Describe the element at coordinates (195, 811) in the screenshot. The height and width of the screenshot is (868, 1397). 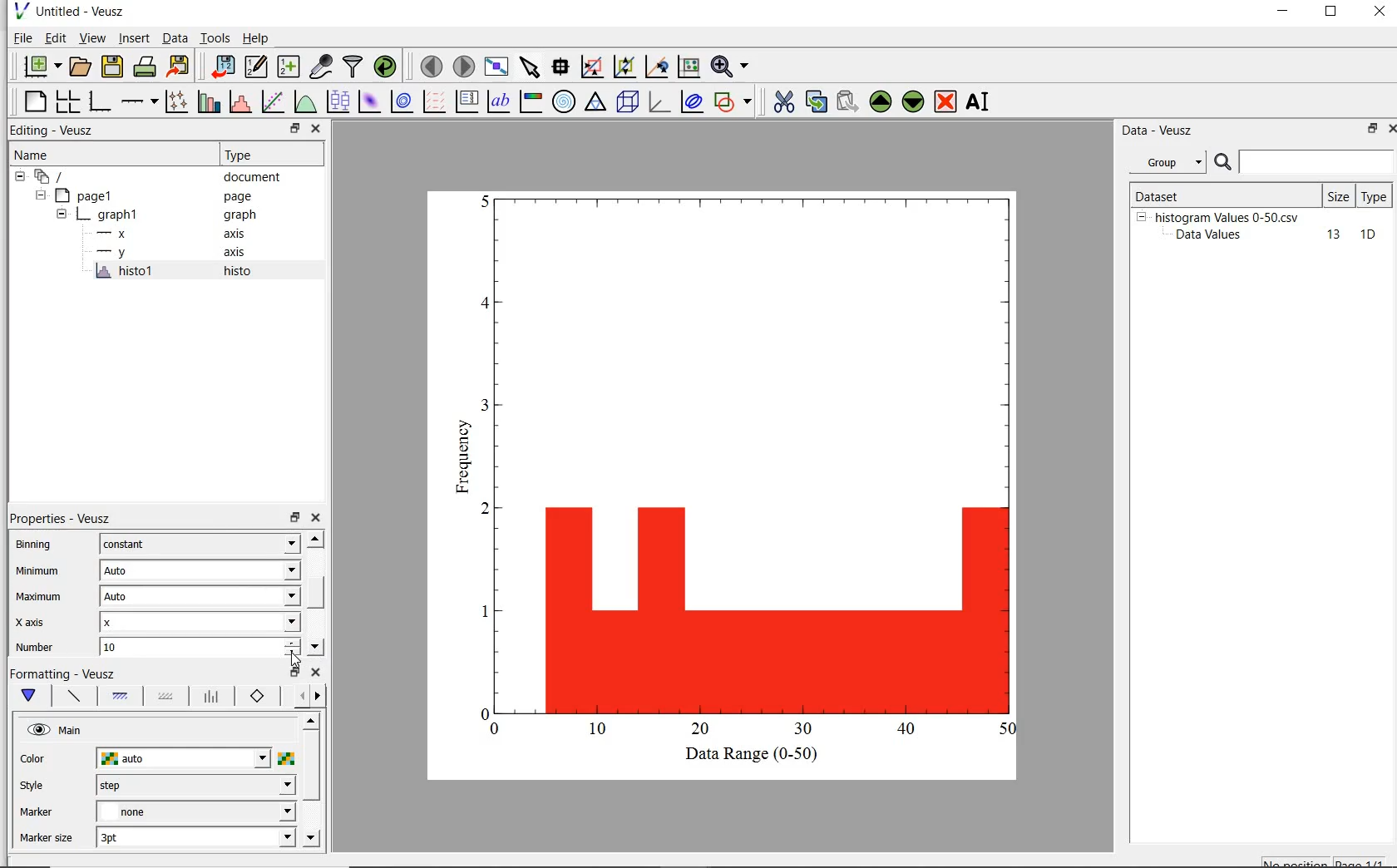
I see `| none vw` at that location.